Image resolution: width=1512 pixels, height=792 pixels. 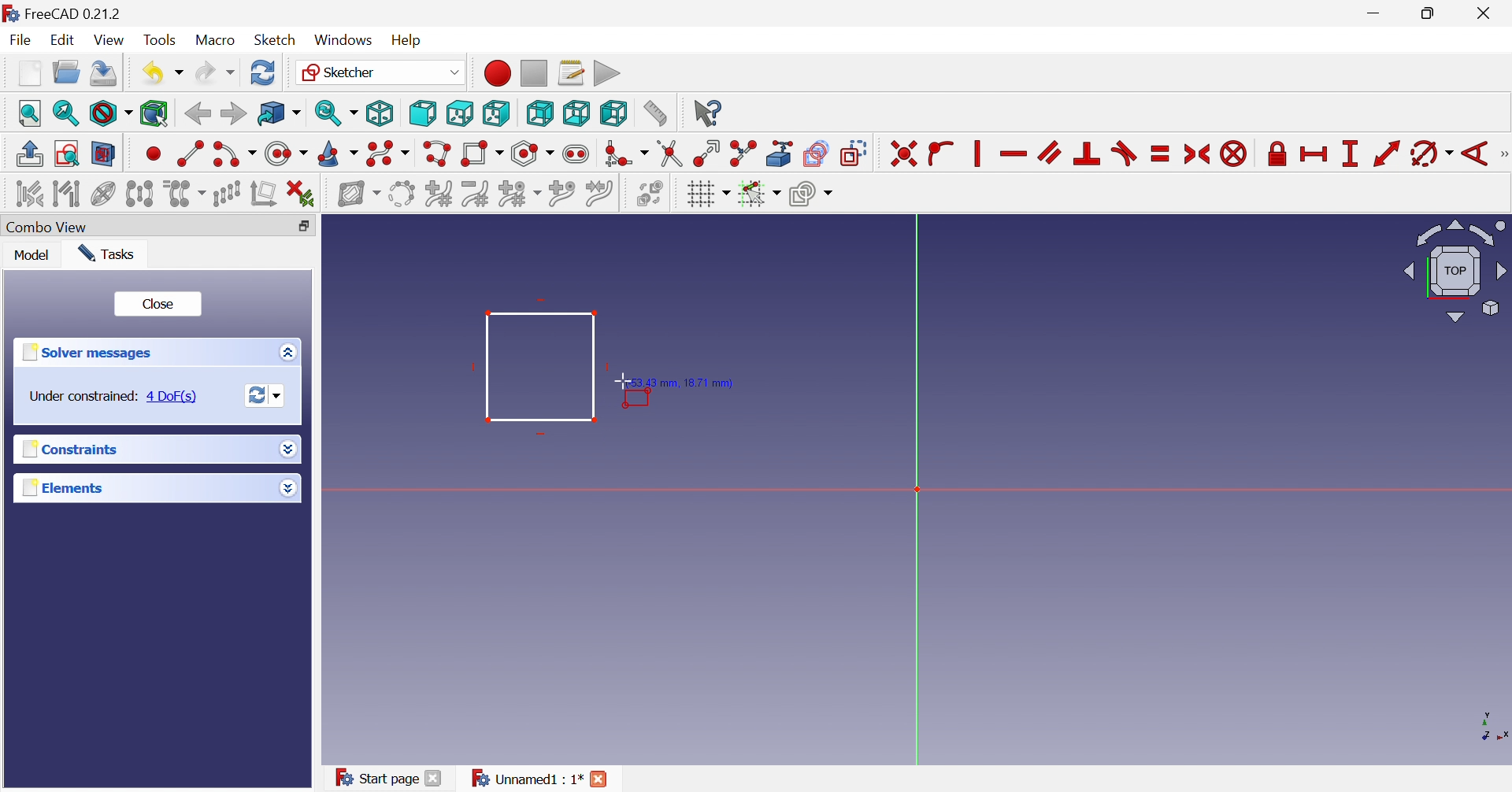 I want to click on Windows, so click(x=343, y=41).